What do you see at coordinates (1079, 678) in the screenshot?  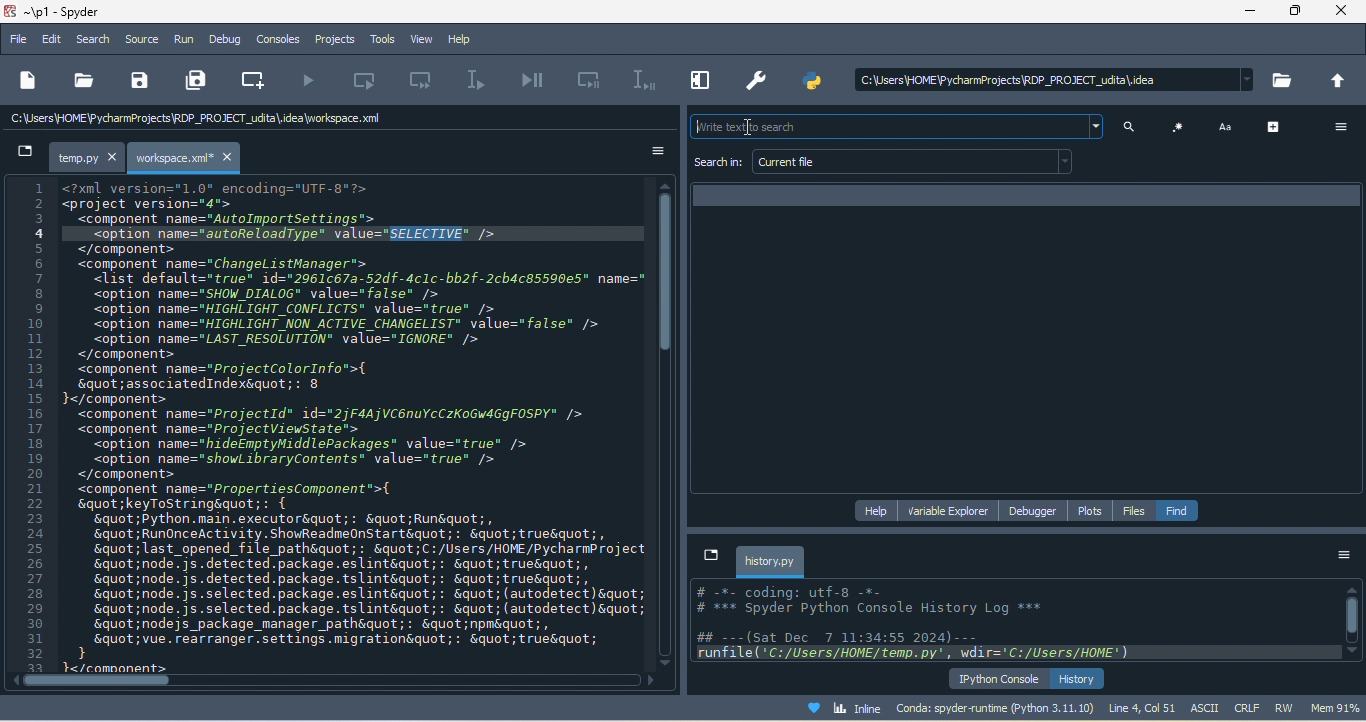 I see `history` at bounding box center [1079, 678].